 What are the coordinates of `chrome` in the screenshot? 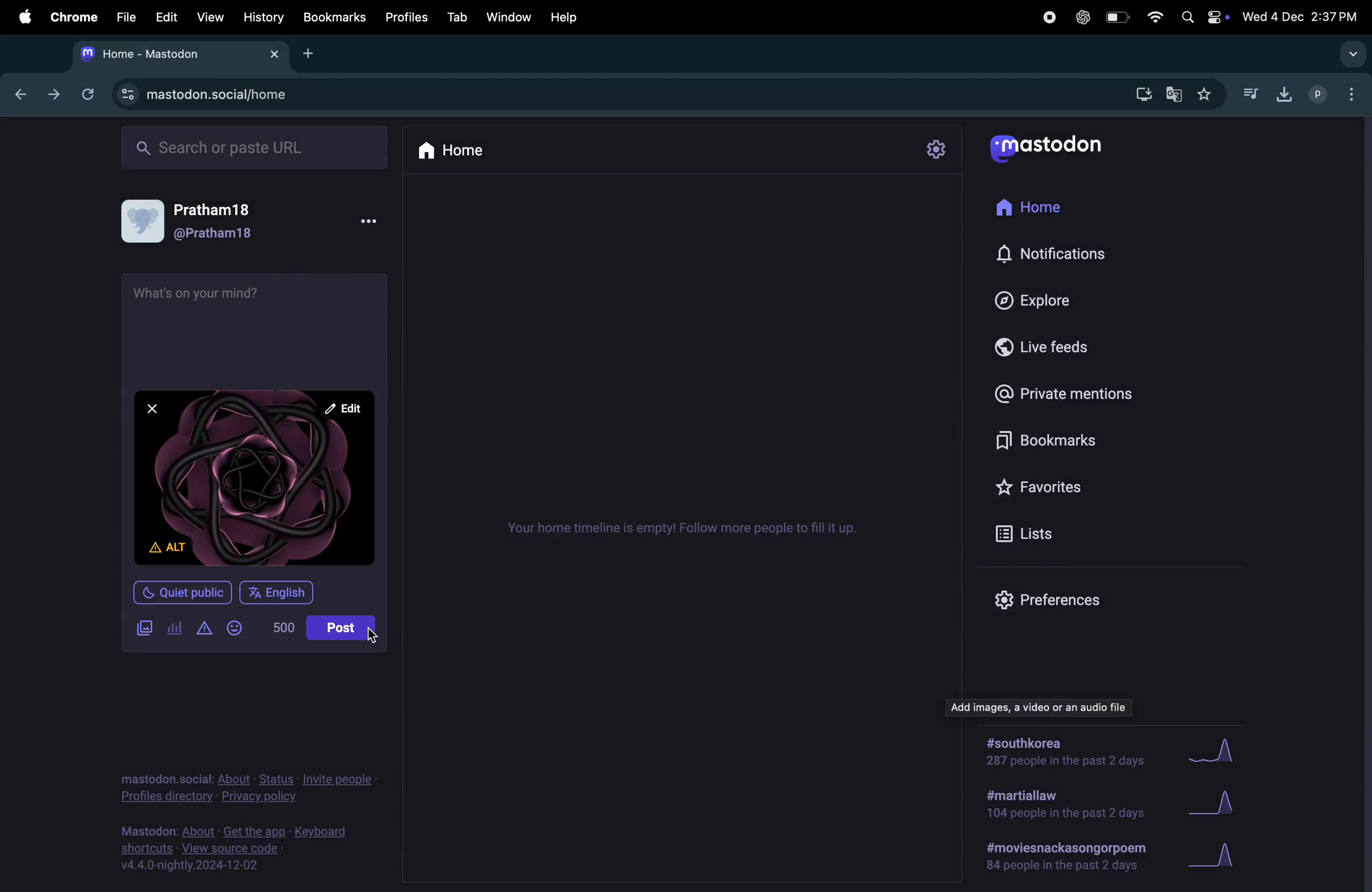 It's located at (71, 17).